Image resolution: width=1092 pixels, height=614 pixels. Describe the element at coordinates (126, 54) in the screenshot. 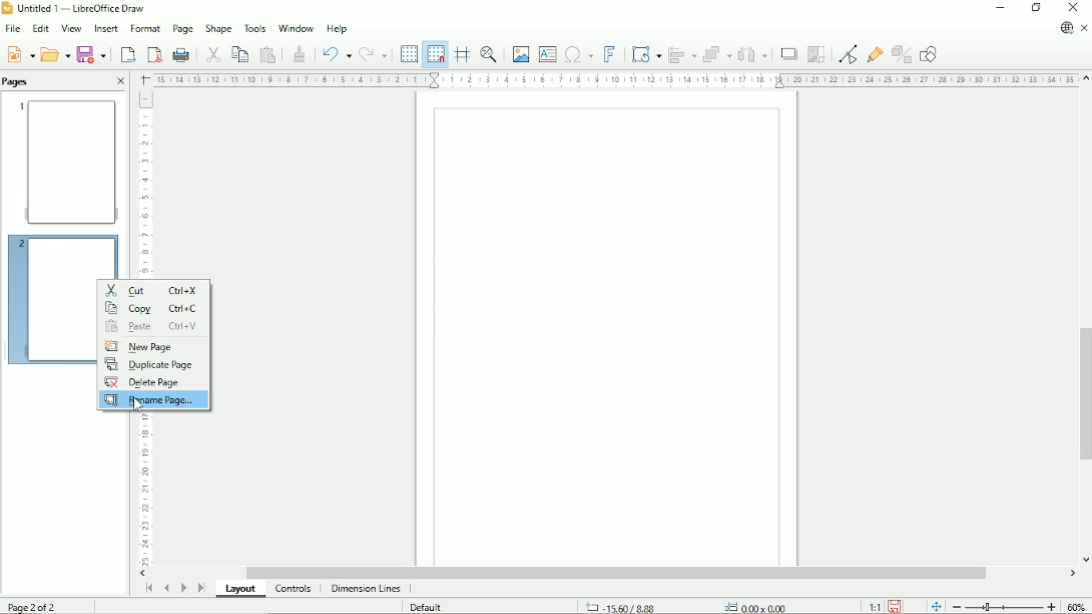

I see `Export` at that location.